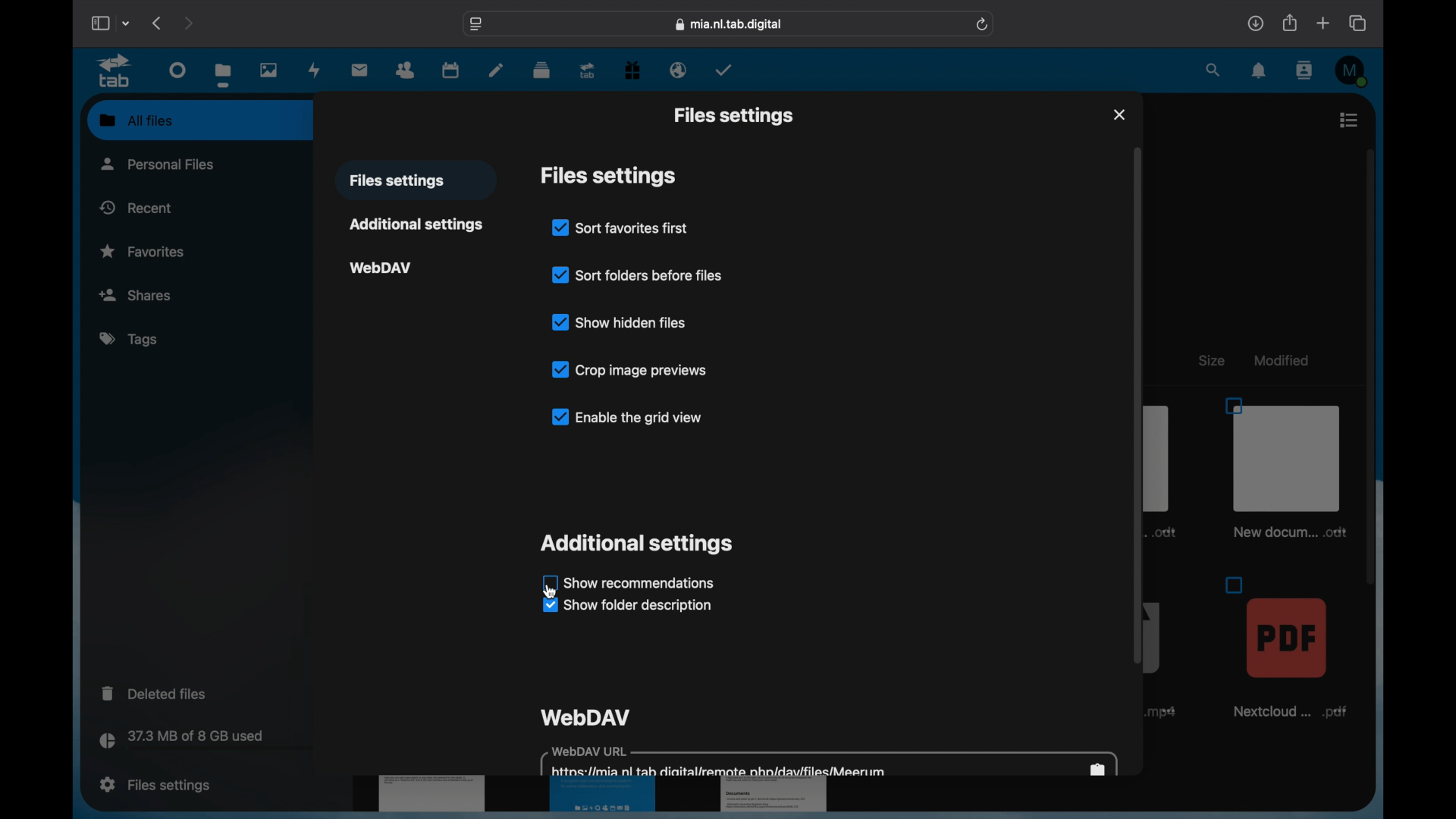 The image size is (1456, 819). Describe the element at coordinates (1214, 70) in the screenshot. I see `search` at that location.